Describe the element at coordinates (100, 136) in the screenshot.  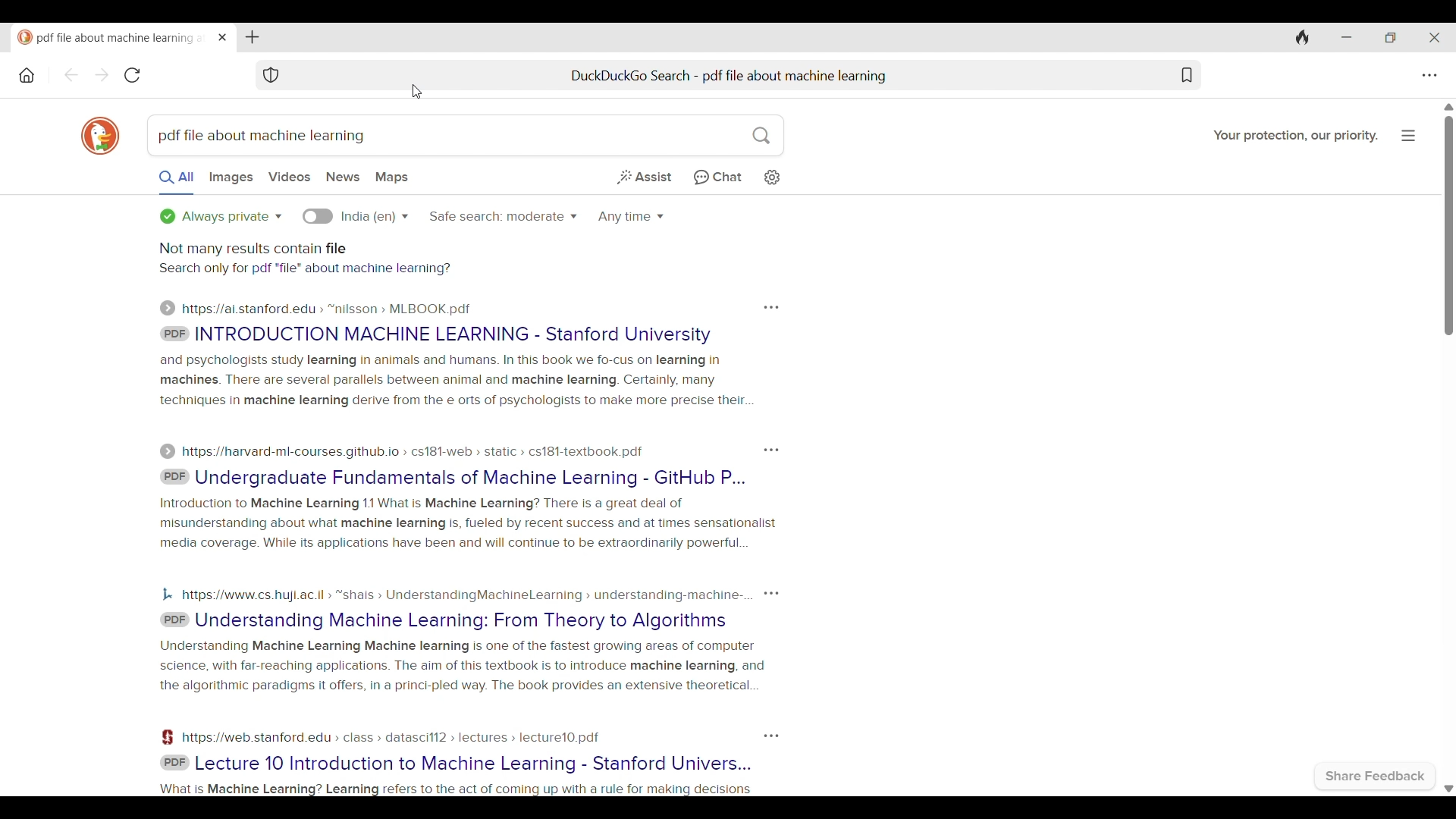
I see `Browser logo` at that location.